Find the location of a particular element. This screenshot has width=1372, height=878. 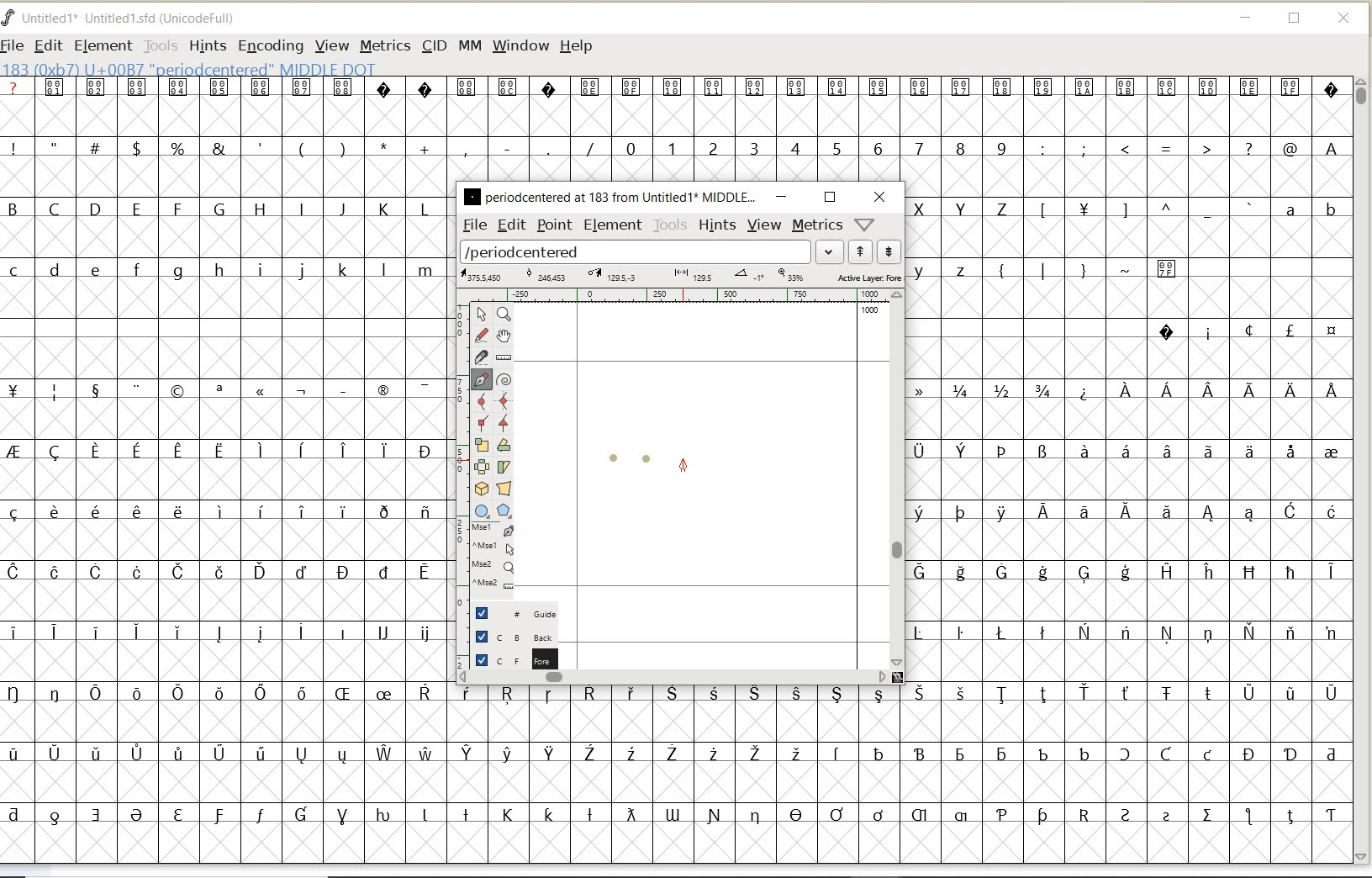

add a point, then drag out its control points is located at coordinates (482, 378).